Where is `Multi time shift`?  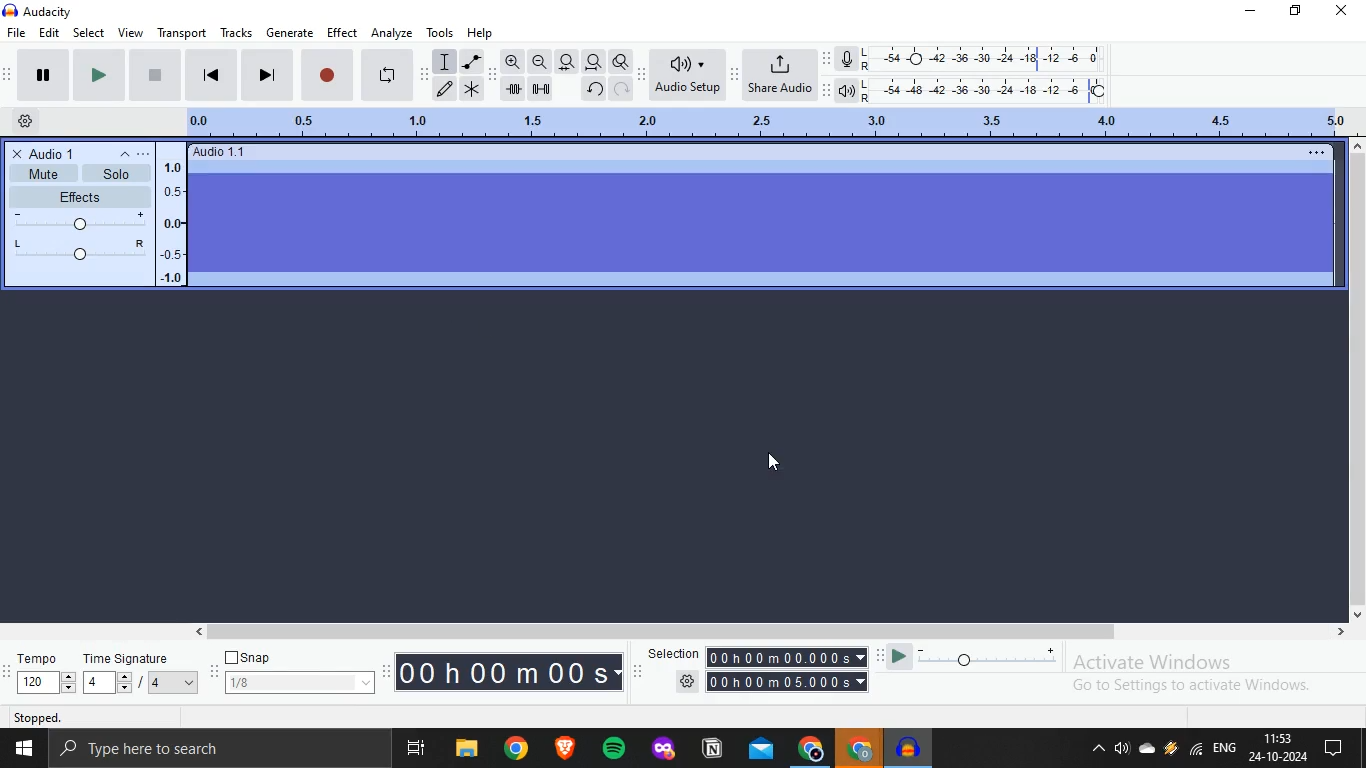 Multi time shift is located at coordinates (546, 91).